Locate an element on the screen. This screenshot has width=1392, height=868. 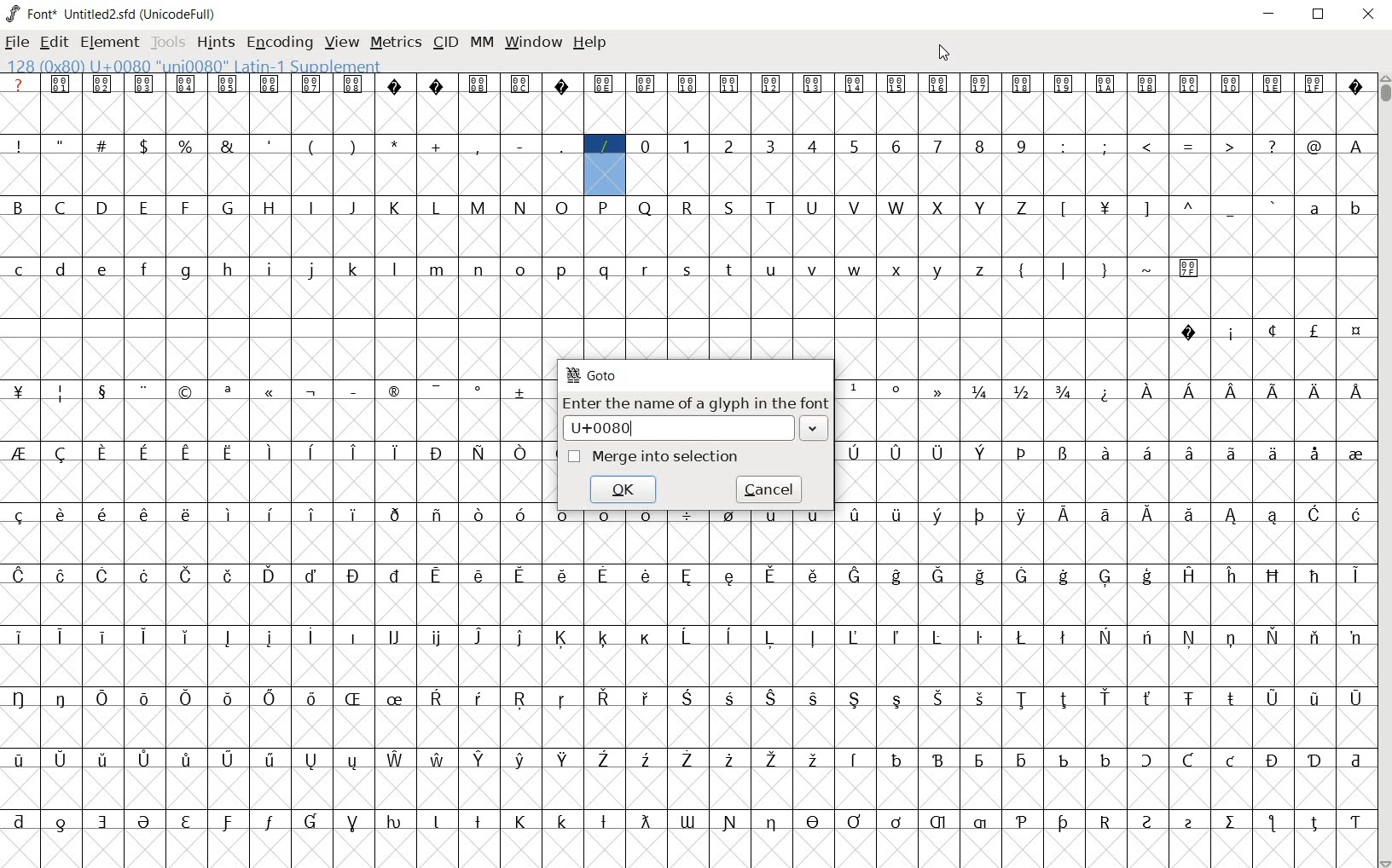
glyph is located at coordinates (20, 270).